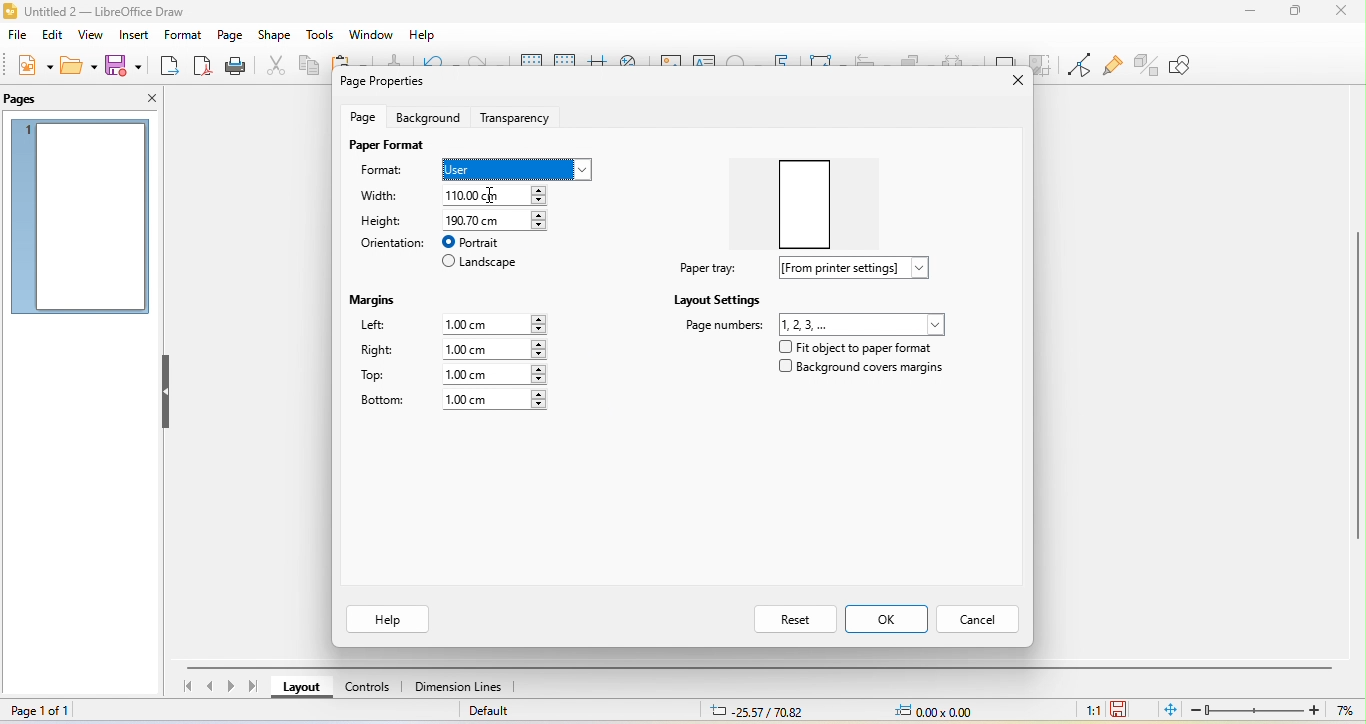 The image size is (1366, 724). I want to click on 190.70 cm, so click(495, 218).